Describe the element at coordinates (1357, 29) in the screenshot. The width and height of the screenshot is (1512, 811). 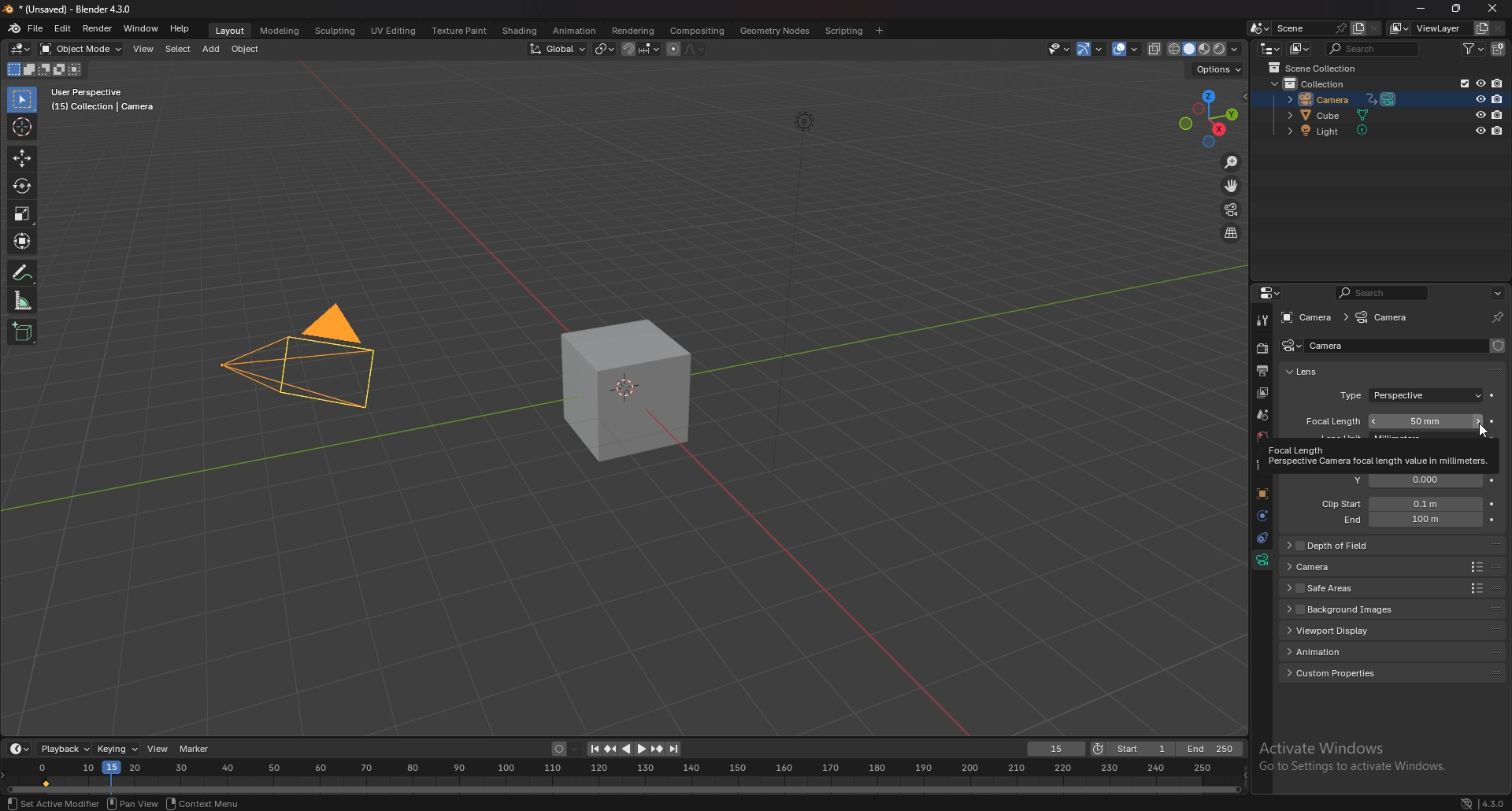
I see `add scene` at that location.